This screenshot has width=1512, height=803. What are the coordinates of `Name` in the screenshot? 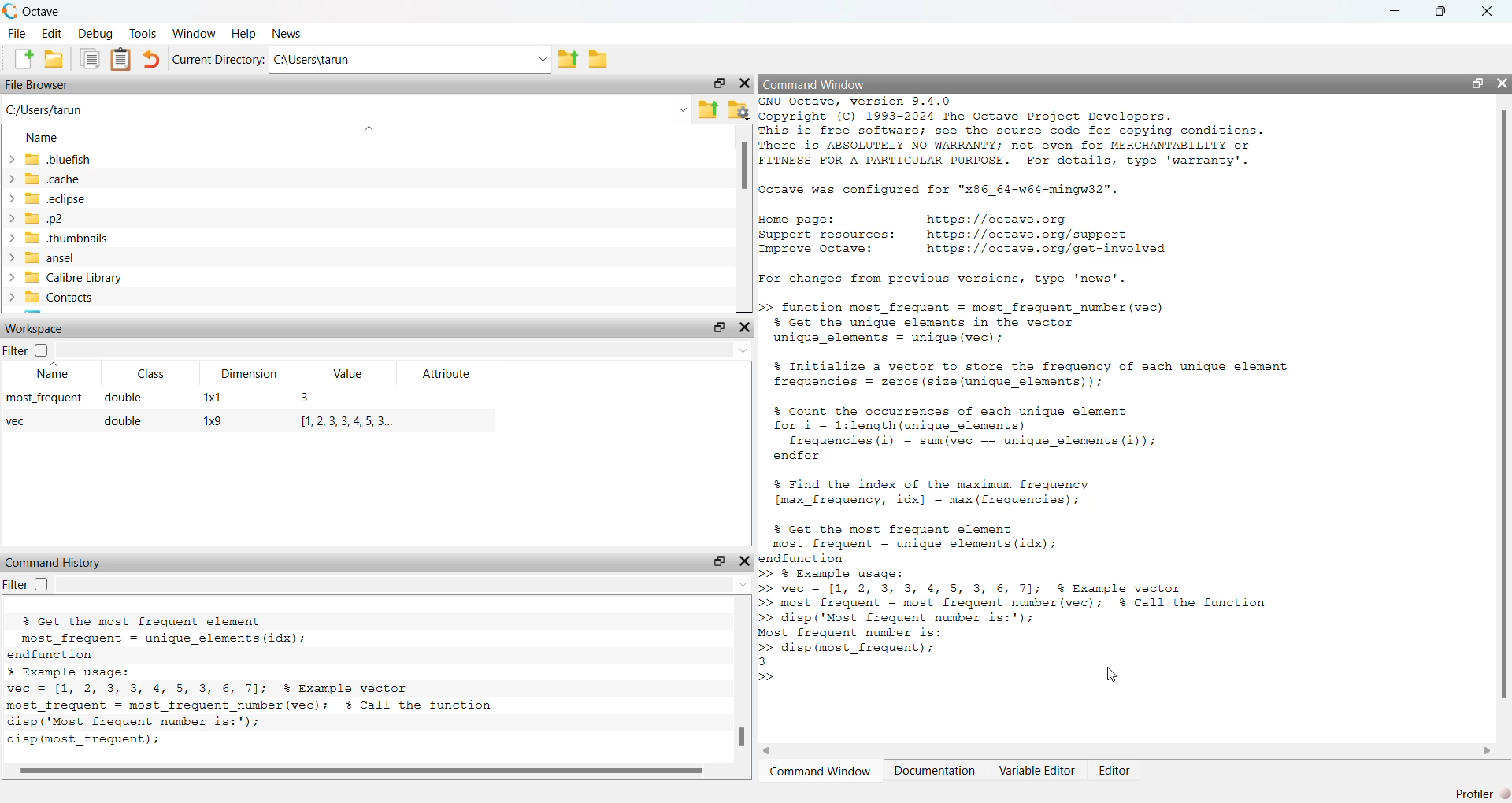 It's located at (39, 137).